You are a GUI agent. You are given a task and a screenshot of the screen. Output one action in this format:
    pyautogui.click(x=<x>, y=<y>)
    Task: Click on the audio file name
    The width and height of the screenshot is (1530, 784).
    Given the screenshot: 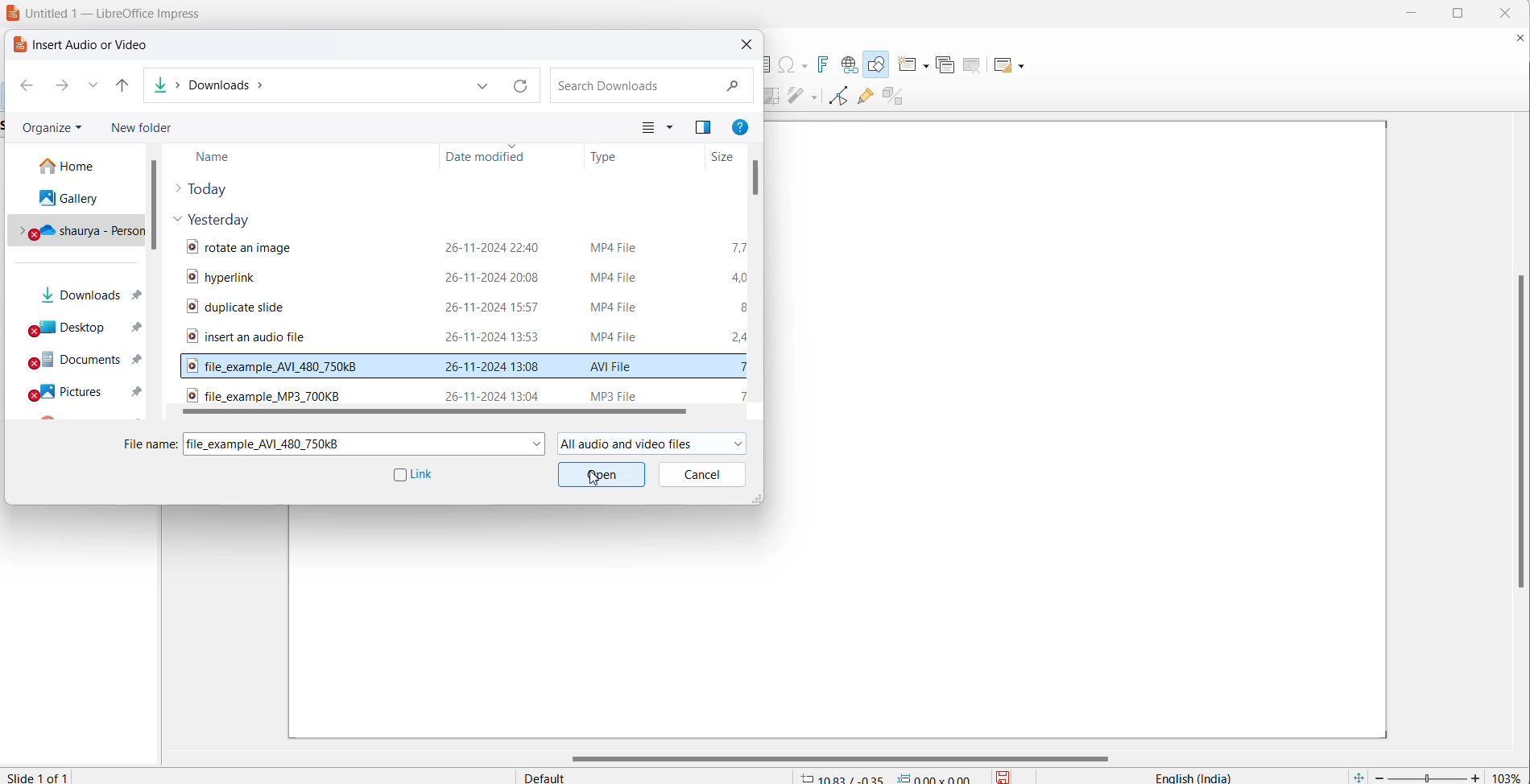 What is the action you would take?
    pyautogui.click(x=287, y=392)
    